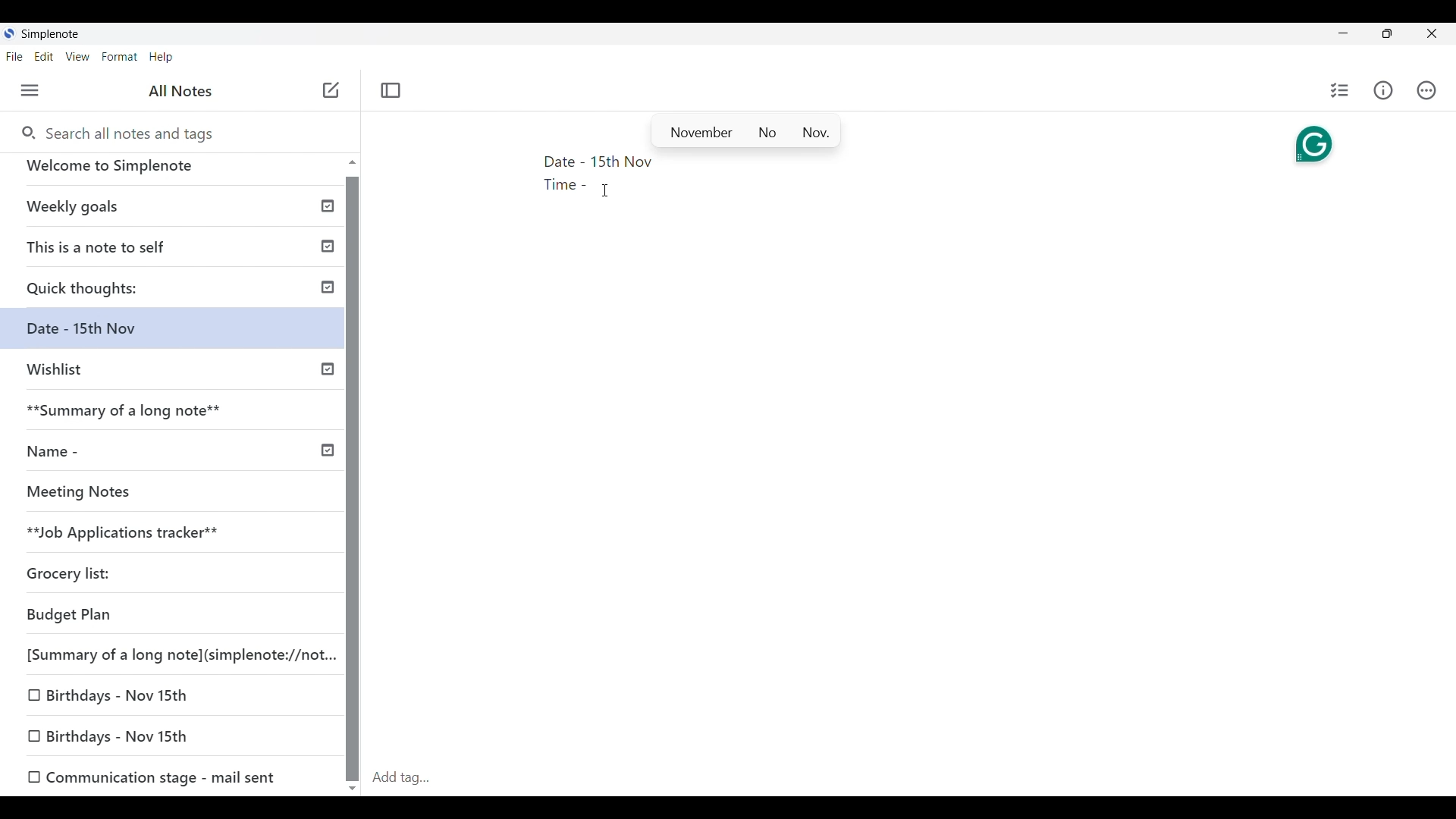  What do you see at coordinates (152, 775) in the screenshot?
I see `Unpublished note` at bounding box center [152, 775].